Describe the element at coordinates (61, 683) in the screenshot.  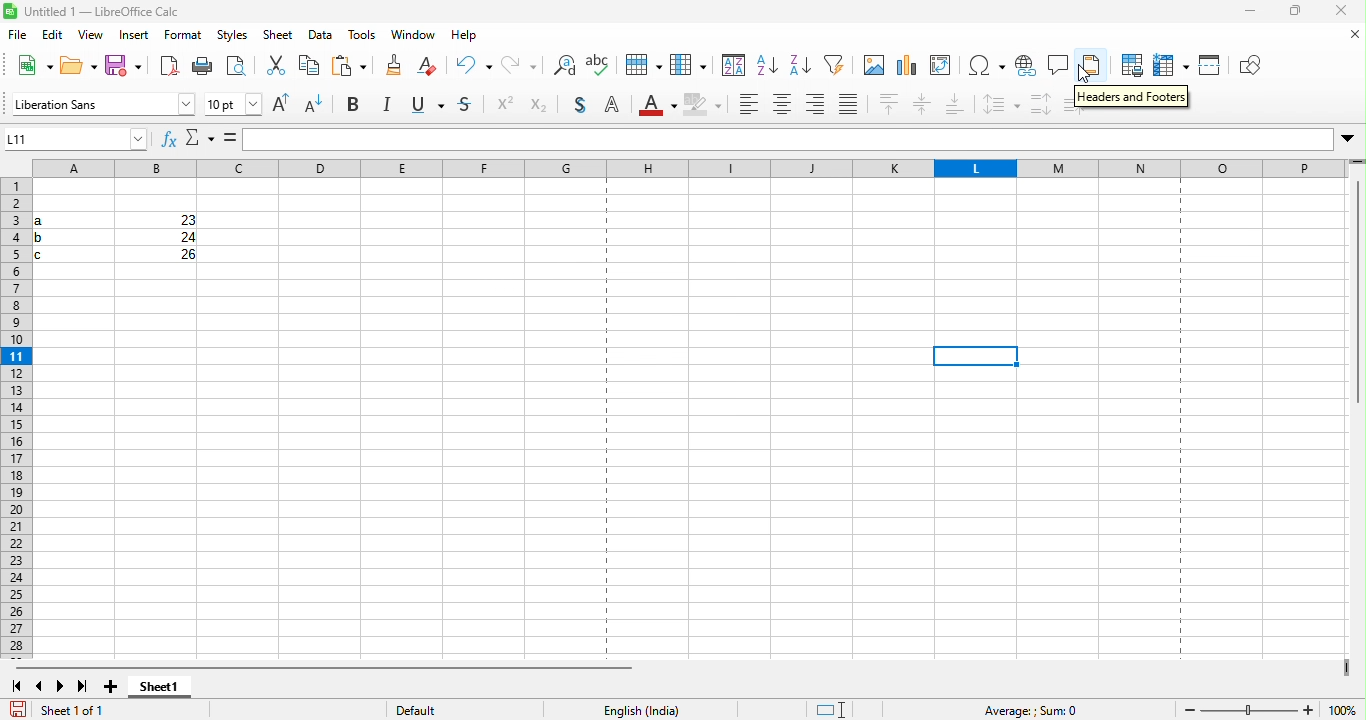
I see `next sheet` at that location.